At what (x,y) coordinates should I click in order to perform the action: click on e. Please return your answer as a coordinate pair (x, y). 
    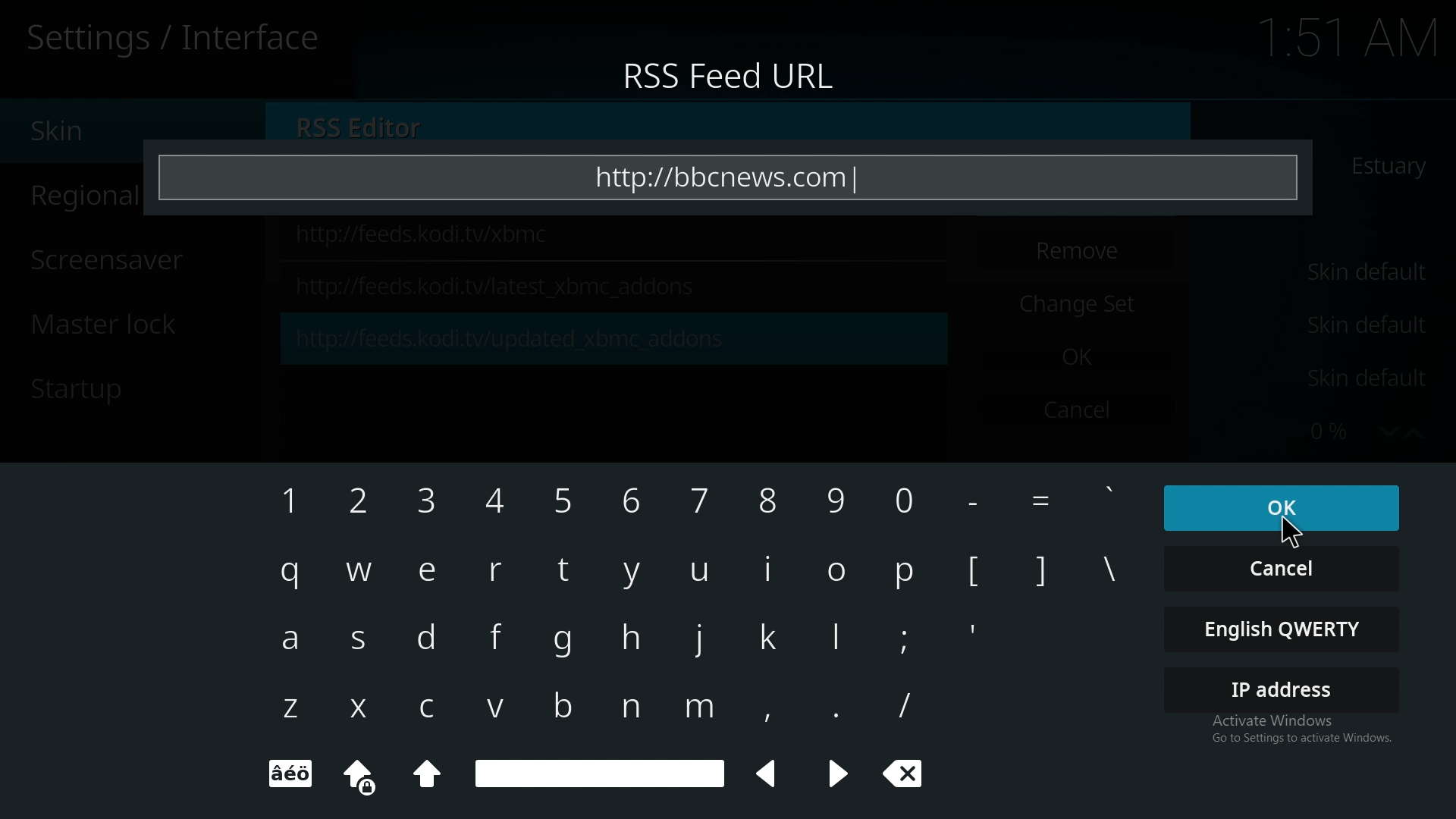
    Looking at the image, I should click on (435, 573).